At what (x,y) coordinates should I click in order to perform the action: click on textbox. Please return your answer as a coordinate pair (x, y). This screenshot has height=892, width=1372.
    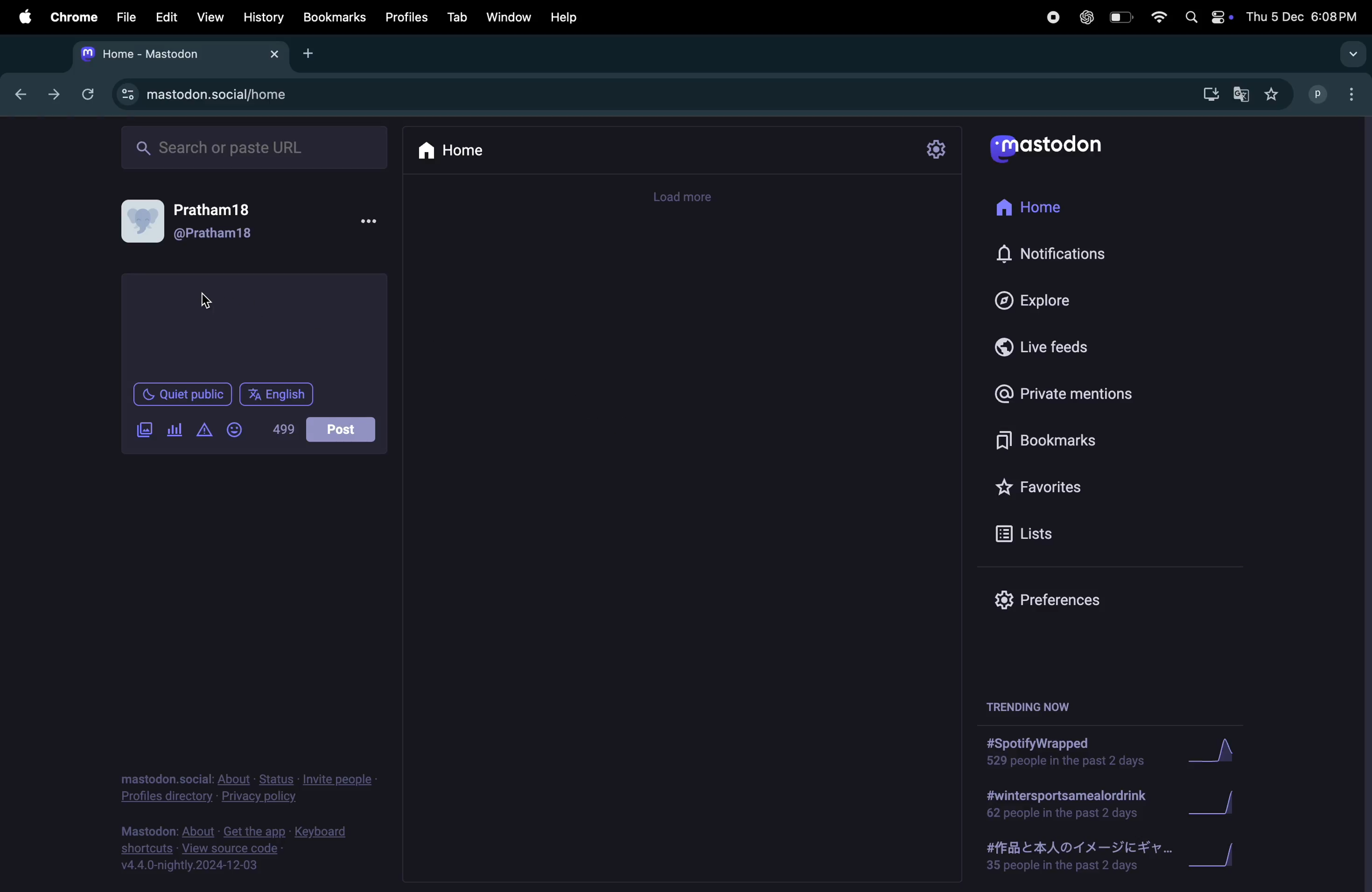
    Looking at the image, I should click on (253, 324).